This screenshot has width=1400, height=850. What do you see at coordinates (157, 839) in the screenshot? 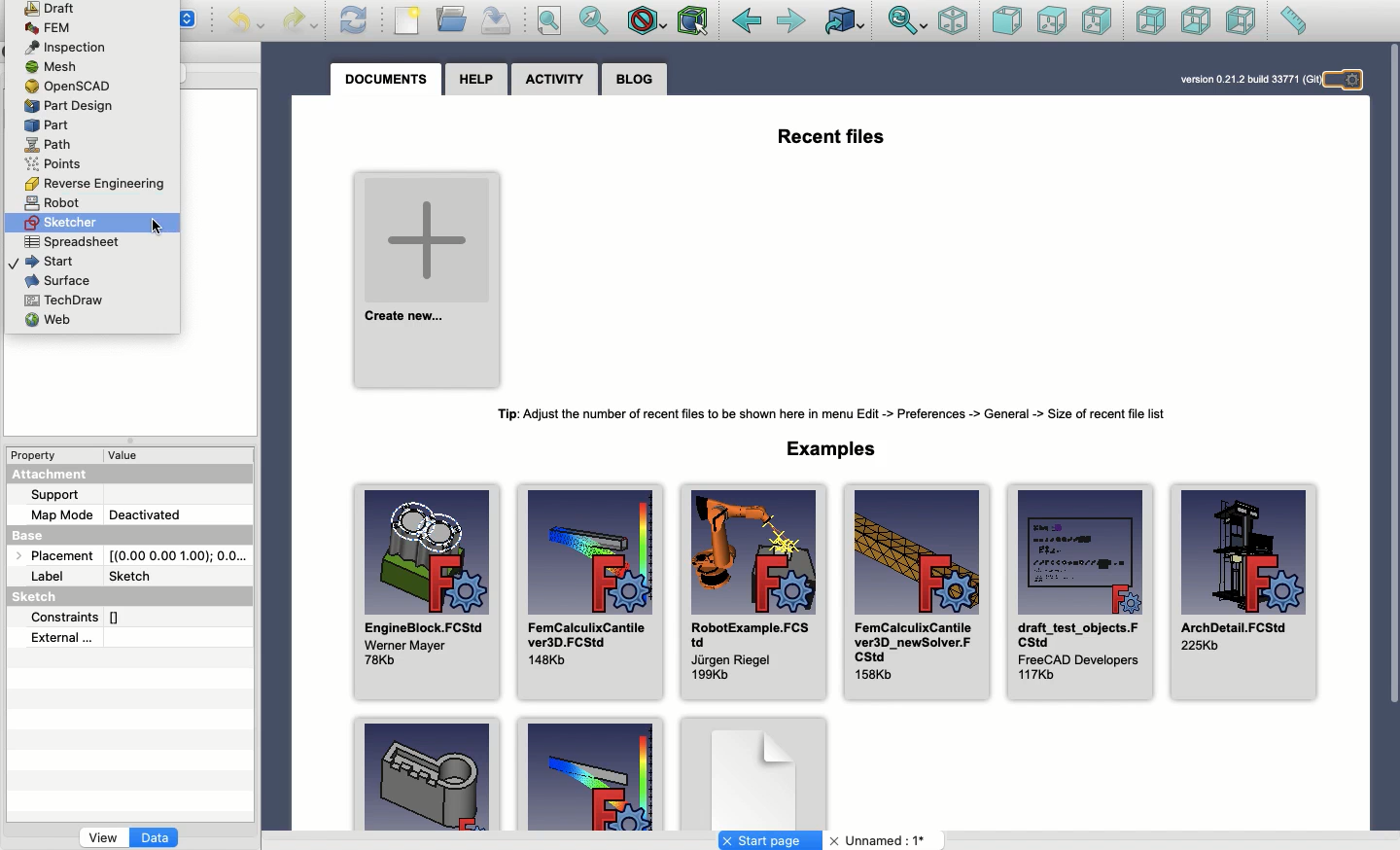
I see `Data` at bounding box center [157, 839].